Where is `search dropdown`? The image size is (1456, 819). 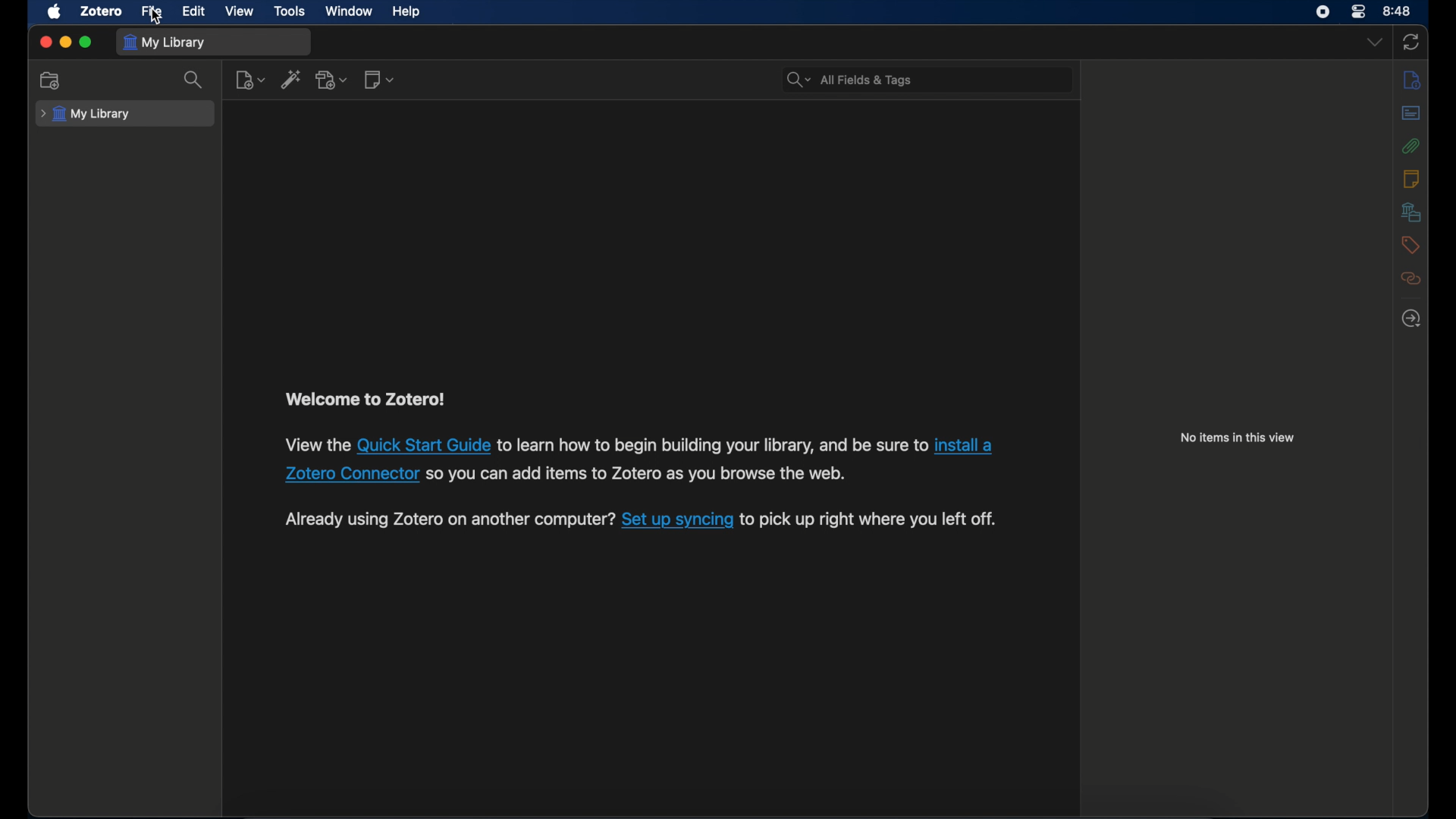
search dropdown is located at coordinates (796, 80).